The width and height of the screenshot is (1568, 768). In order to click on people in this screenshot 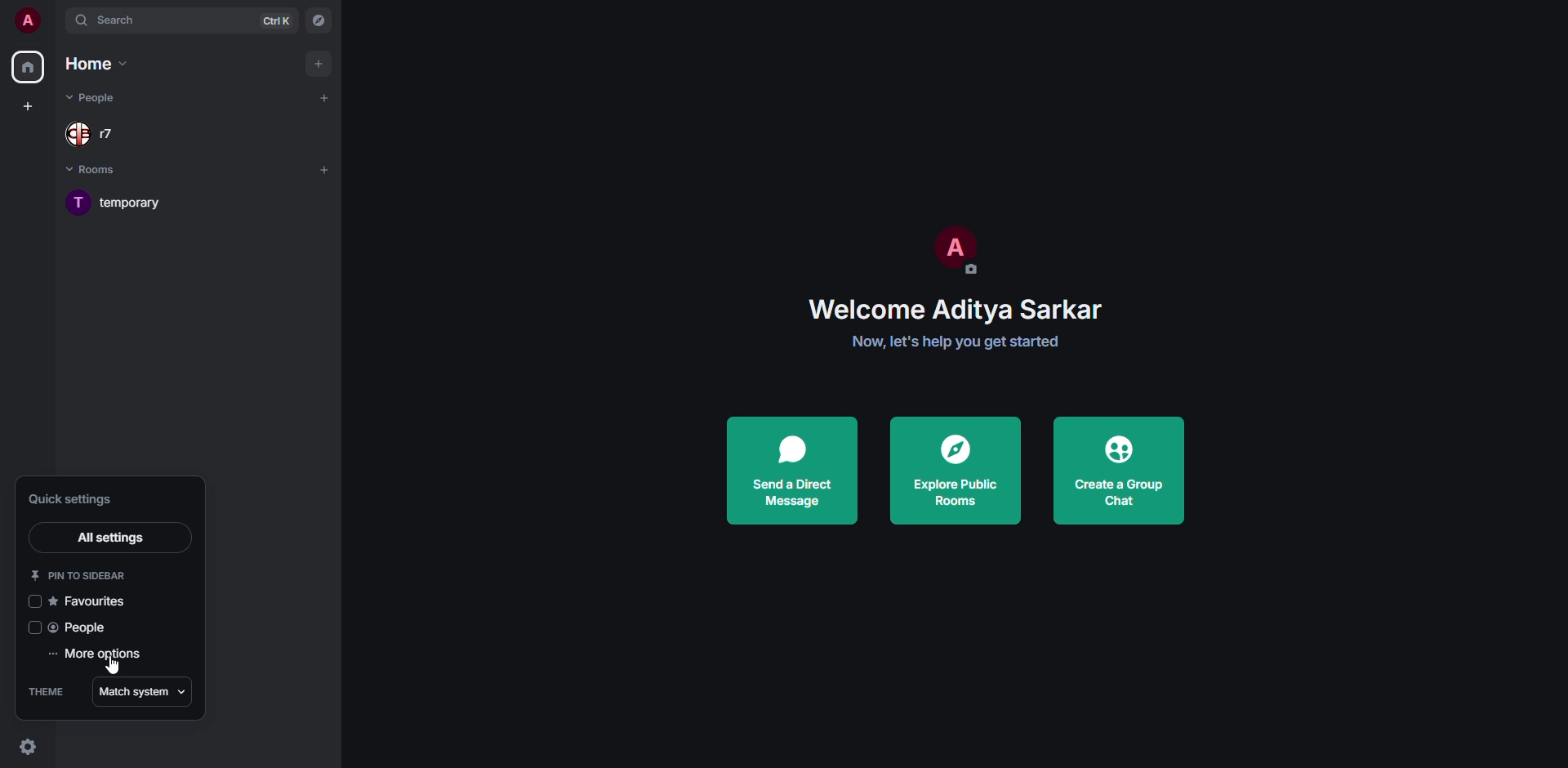, I will do `click(98, 97)`.